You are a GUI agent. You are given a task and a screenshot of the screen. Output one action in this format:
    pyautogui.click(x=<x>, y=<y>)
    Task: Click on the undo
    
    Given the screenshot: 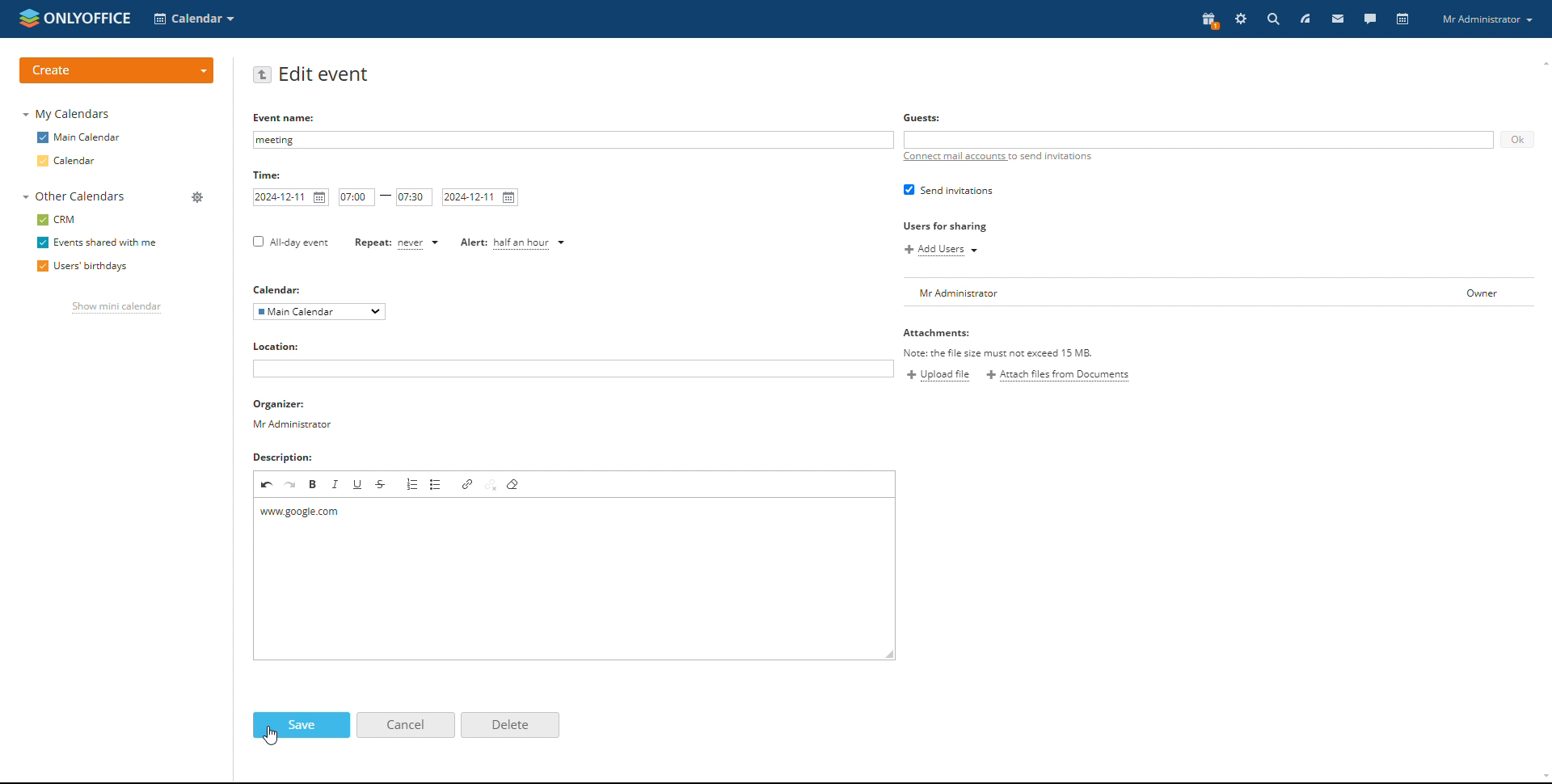 What is the action you would take?
    pyautogui.click(x=268, y=483)
    